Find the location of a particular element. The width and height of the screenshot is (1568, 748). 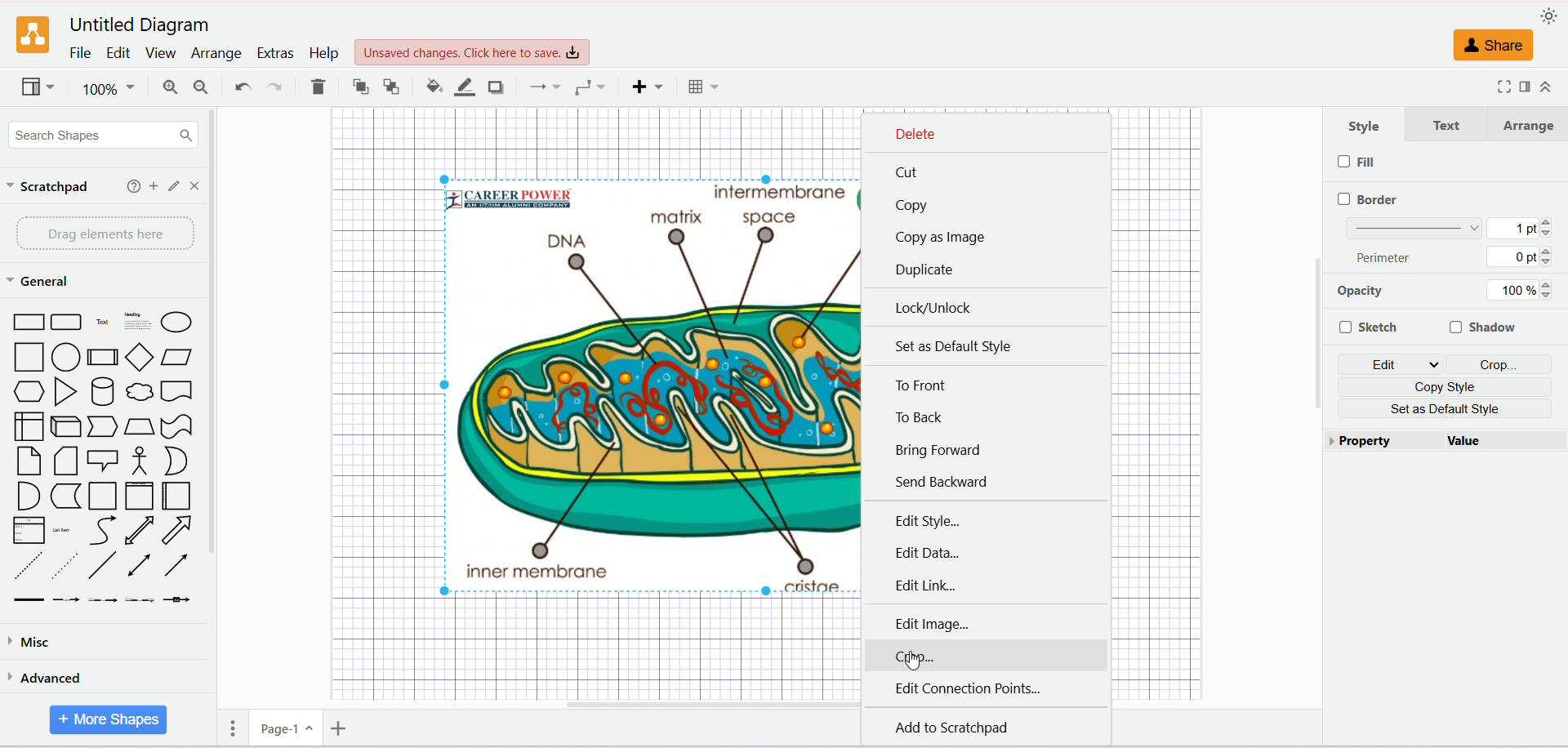

Trapezoid is located at coordinates (139, 428).